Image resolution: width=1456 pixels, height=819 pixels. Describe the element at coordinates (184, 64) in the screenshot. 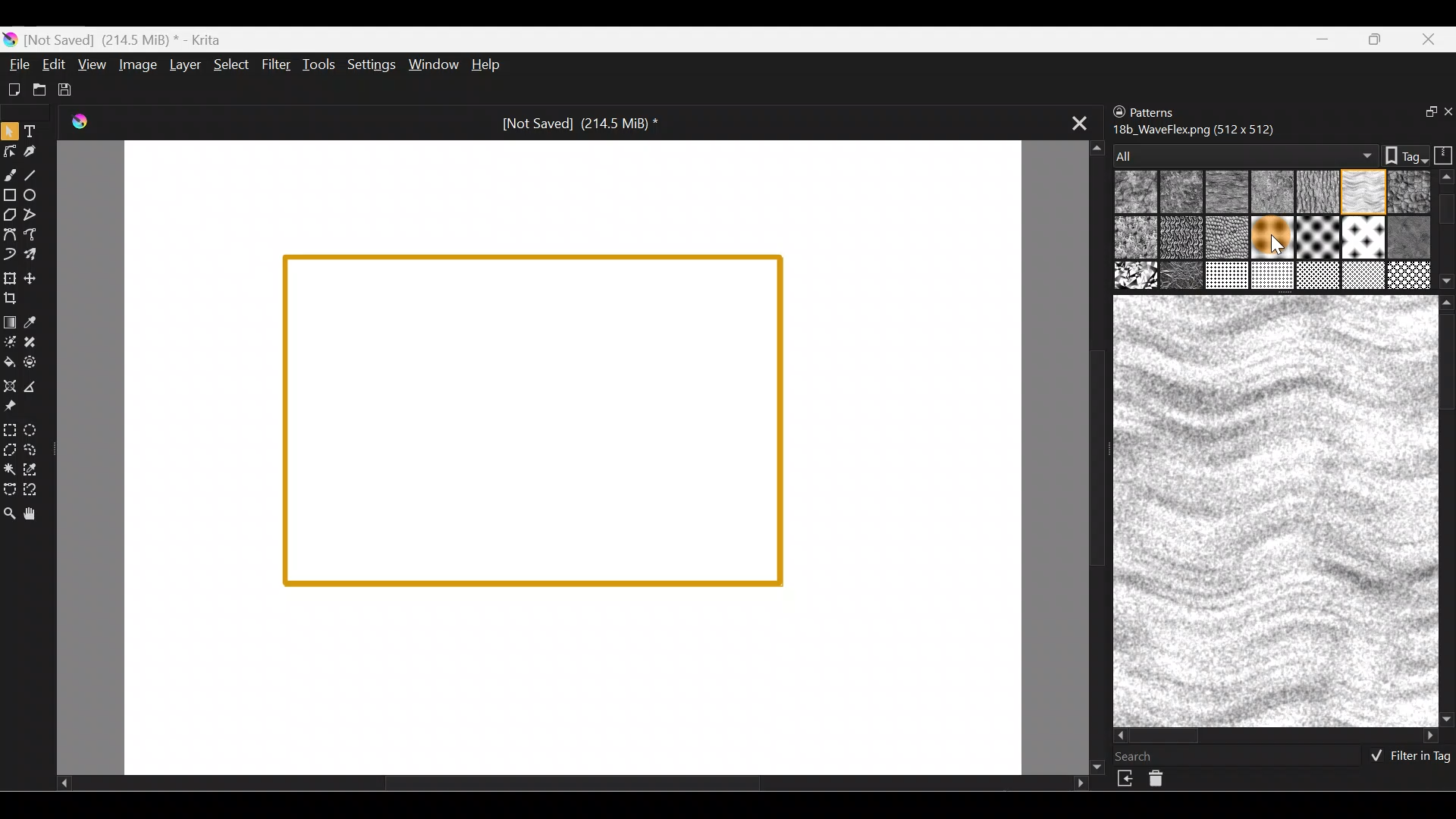

I see `Layer` at that location.